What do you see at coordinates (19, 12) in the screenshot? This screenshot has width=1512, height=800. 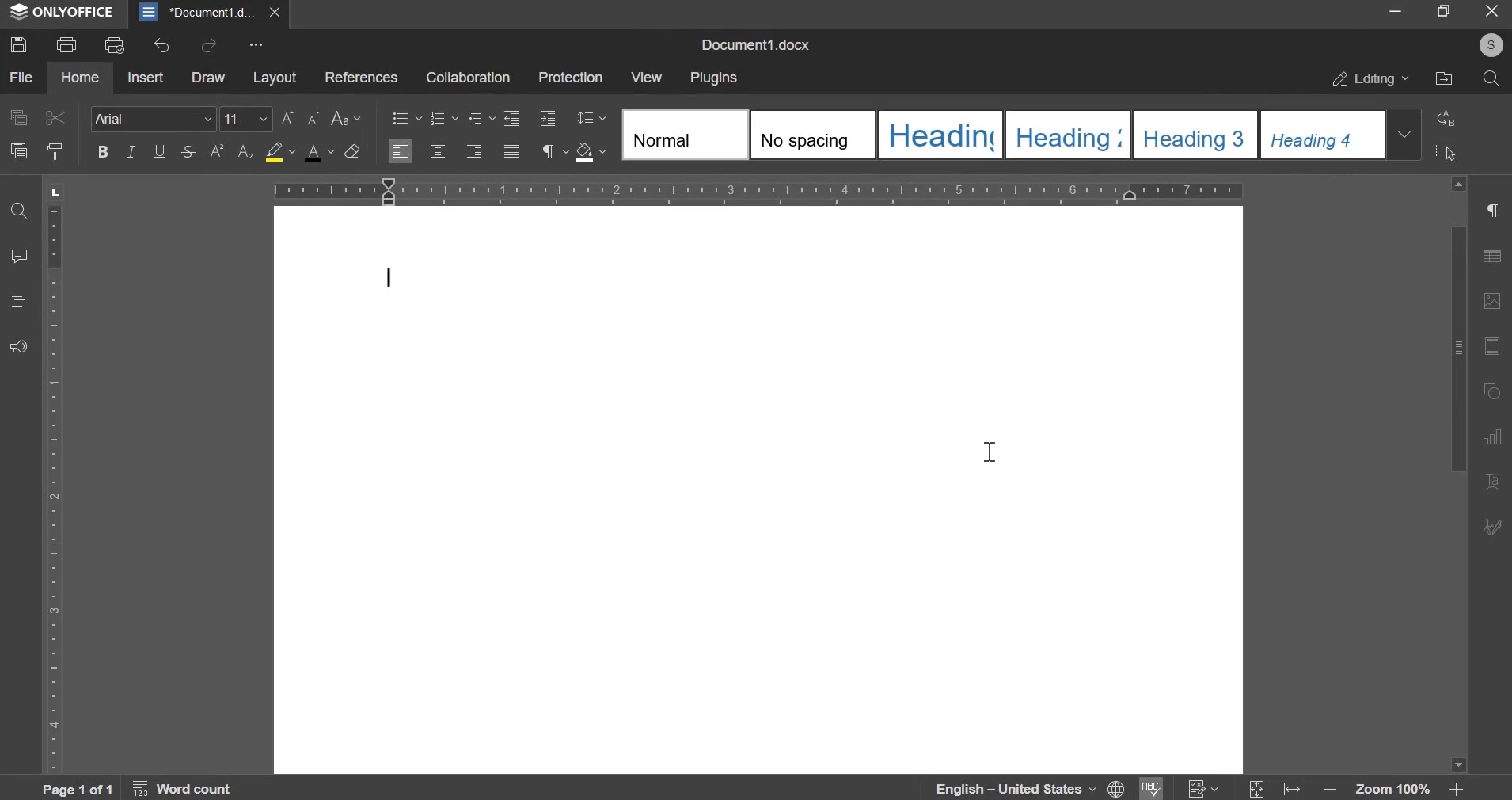 I see `logo` at bounding box center [19, 12].